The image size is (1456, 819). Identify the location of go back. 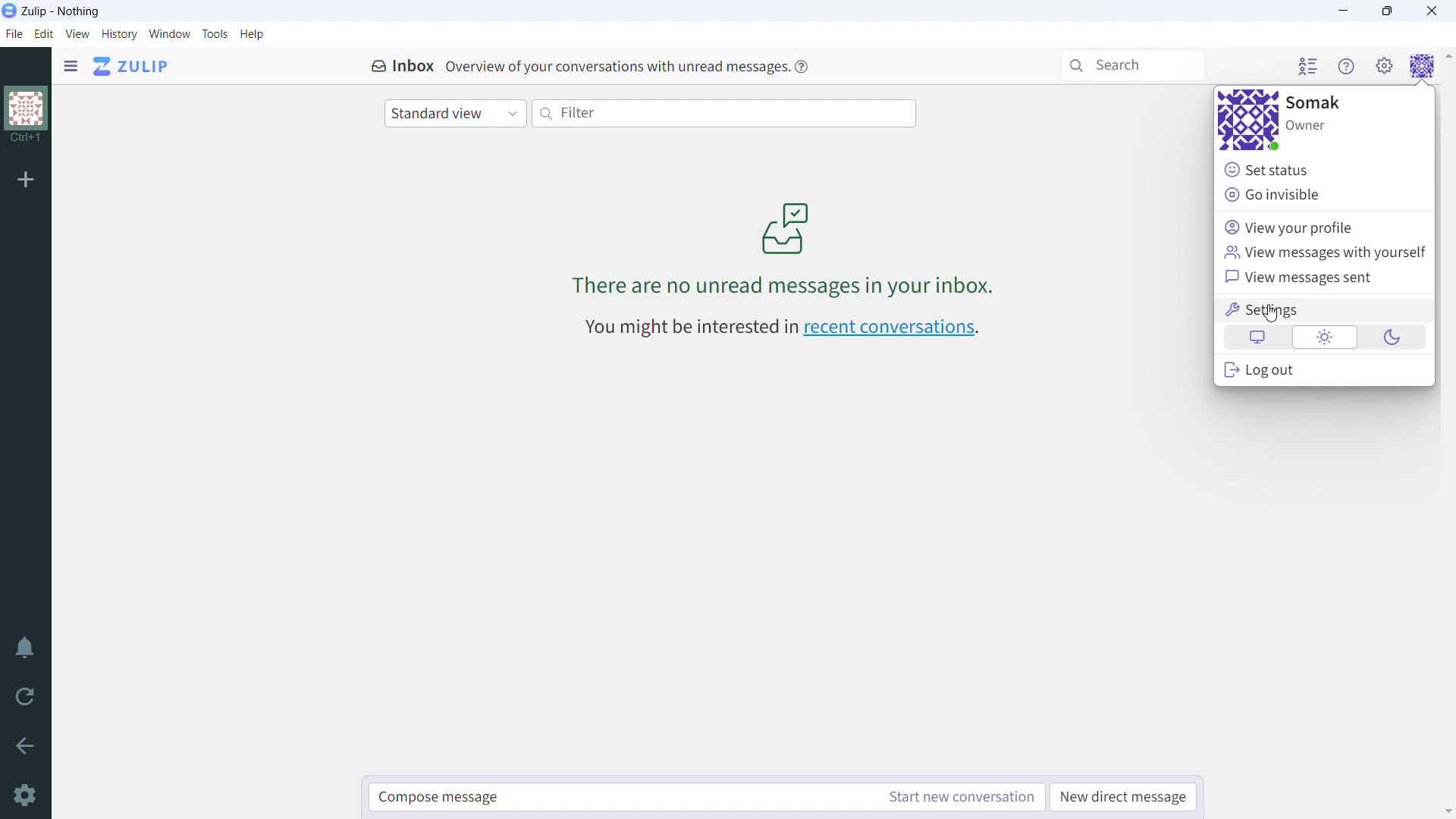
(26, 744).